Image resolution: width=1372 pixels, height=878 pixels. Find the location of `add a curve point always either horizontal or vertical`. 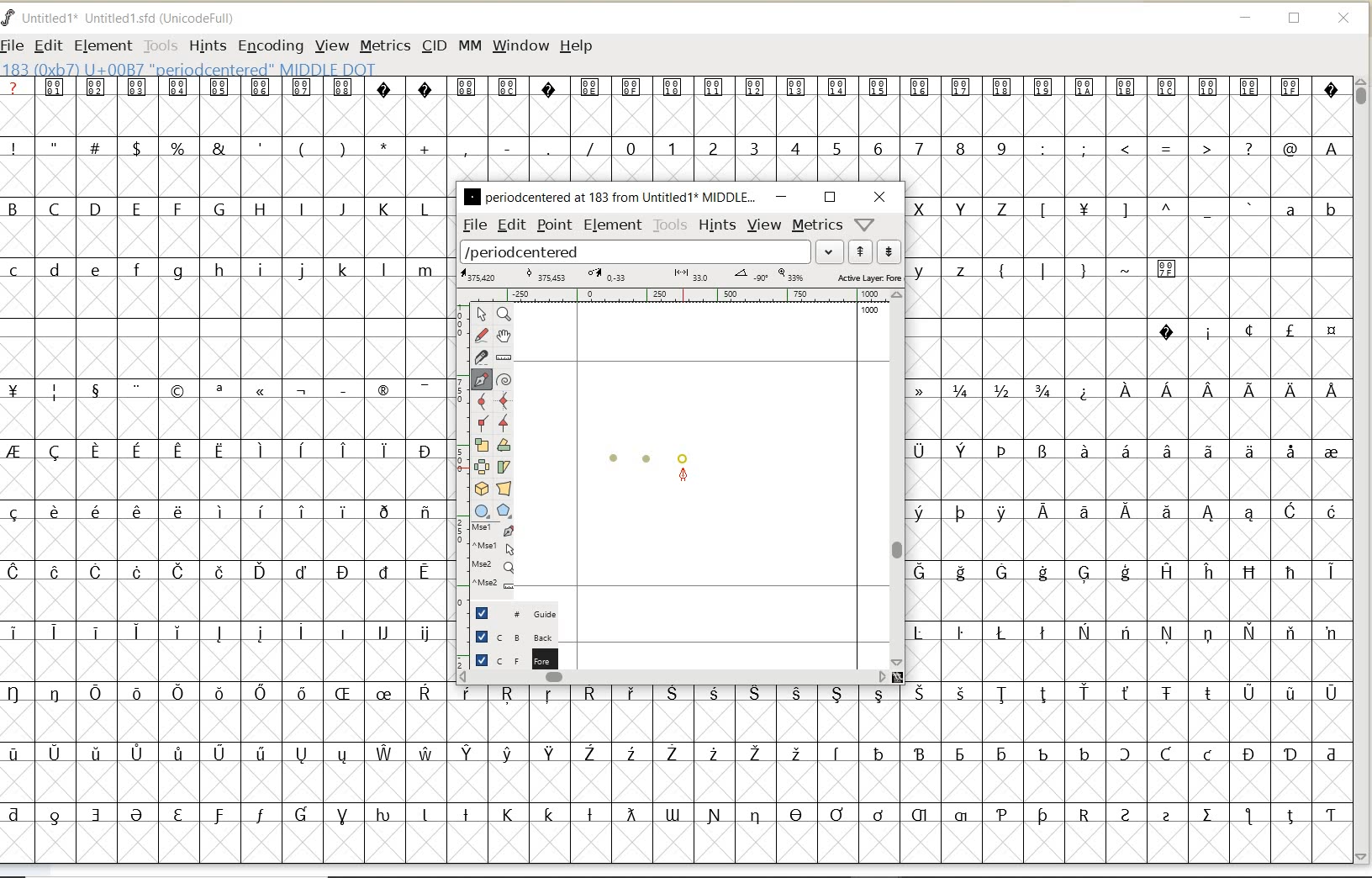

add a curve point always either horizontal or vertical is located at coordinates (504, 399).